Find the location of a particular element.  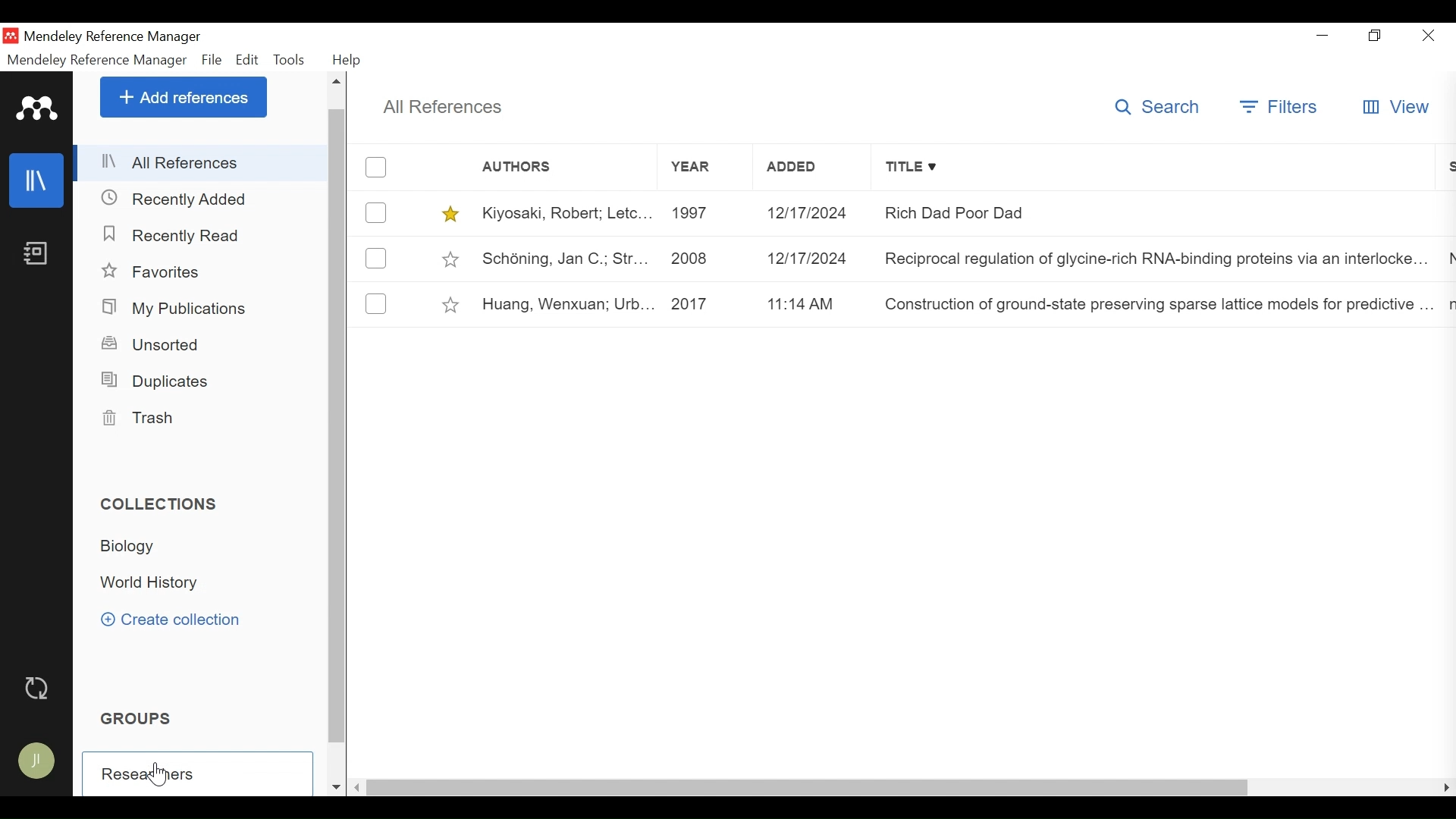

Huang, Wenxuan; Urb... is located at coordinates (566, 303).